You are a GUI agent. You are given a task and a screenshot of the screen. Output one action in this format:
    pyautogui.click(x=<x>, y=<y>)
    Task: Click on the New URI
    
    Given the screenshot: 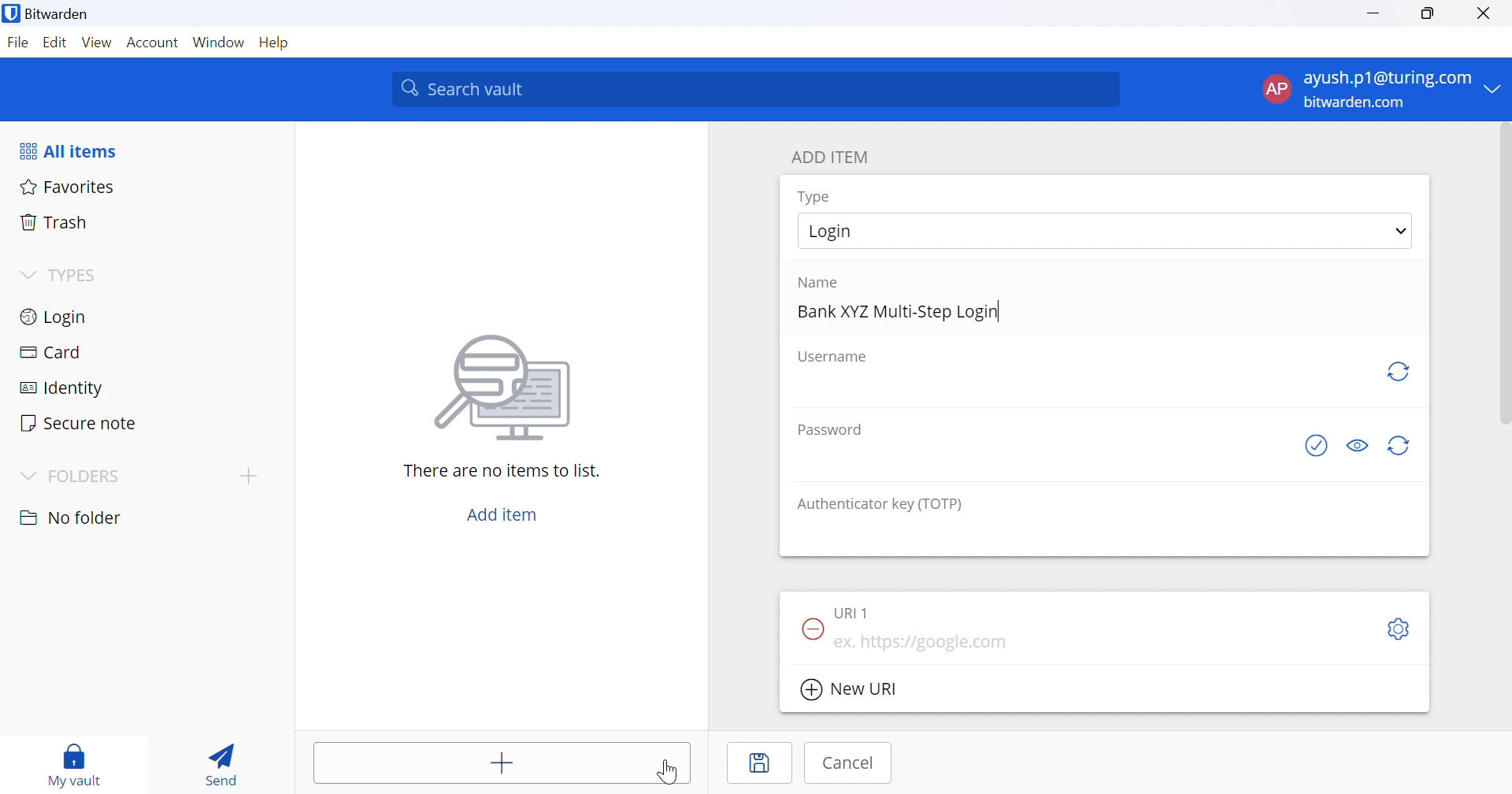 What is the action you would take?
    pyautogui.click(x=848, y=690)
    